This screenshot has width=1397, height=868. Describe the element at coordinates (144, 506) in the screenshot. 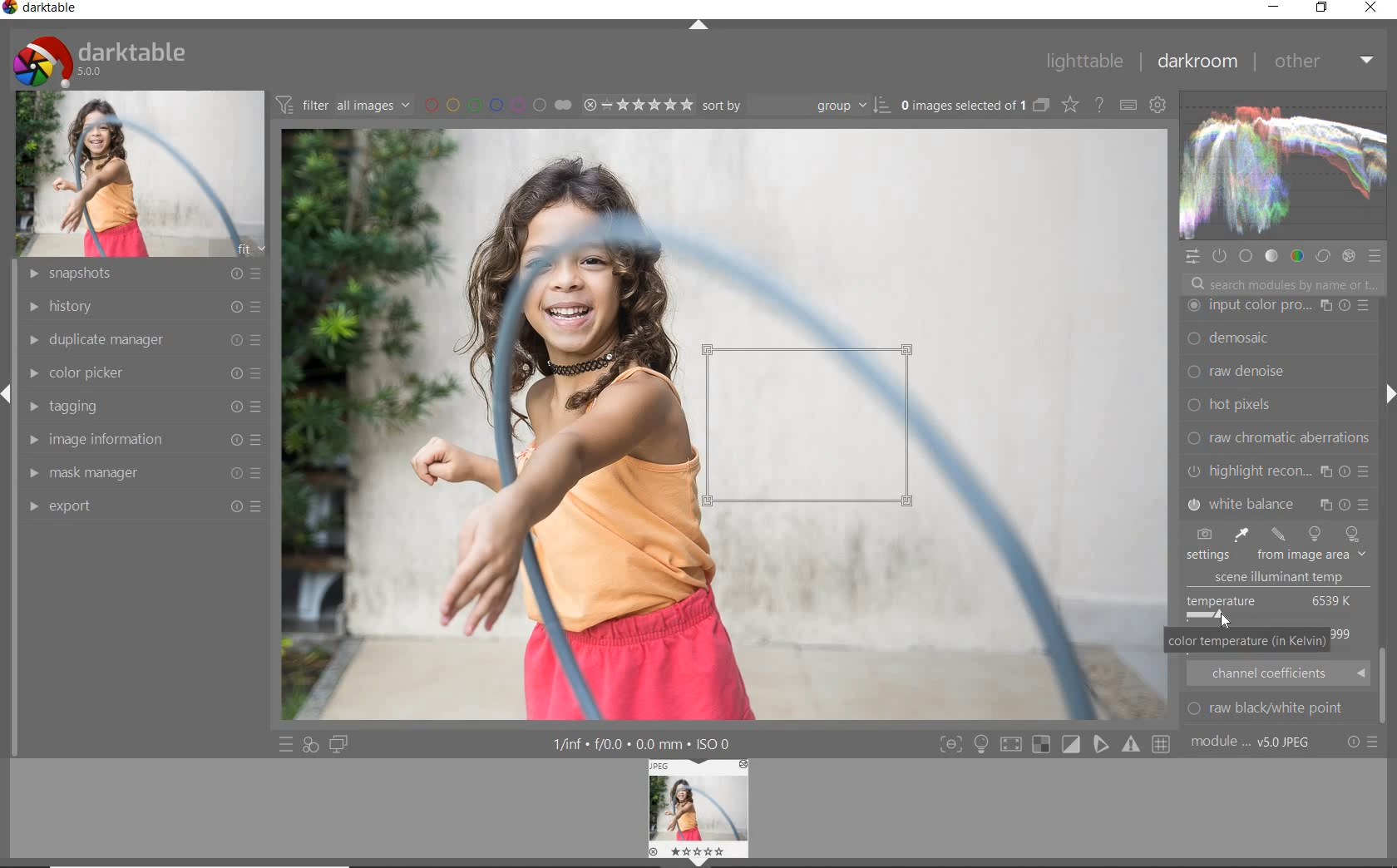

I see `export` at that location.